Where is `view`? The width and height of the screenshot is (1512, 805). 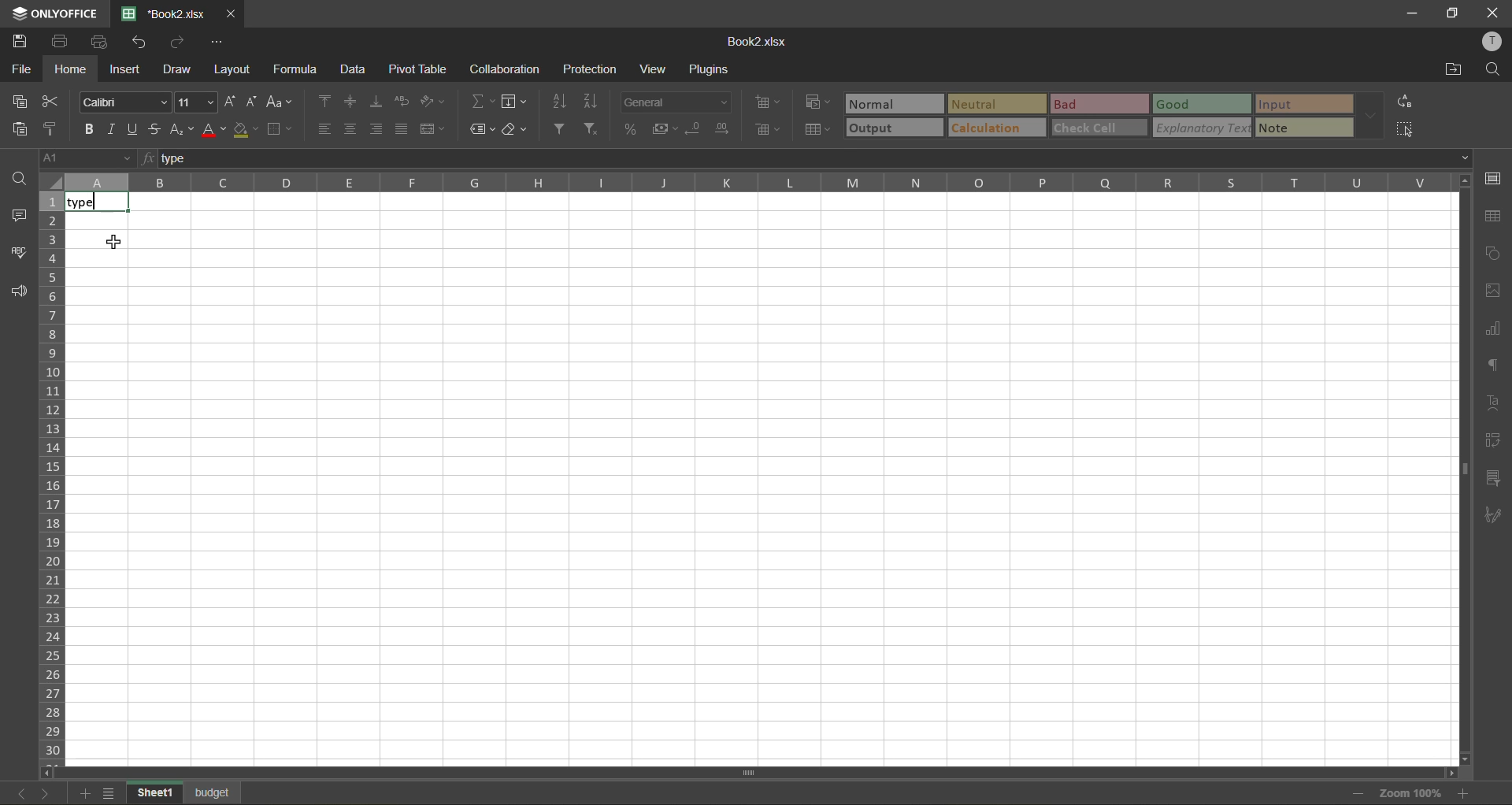
view is located at coordinates (657, 69).